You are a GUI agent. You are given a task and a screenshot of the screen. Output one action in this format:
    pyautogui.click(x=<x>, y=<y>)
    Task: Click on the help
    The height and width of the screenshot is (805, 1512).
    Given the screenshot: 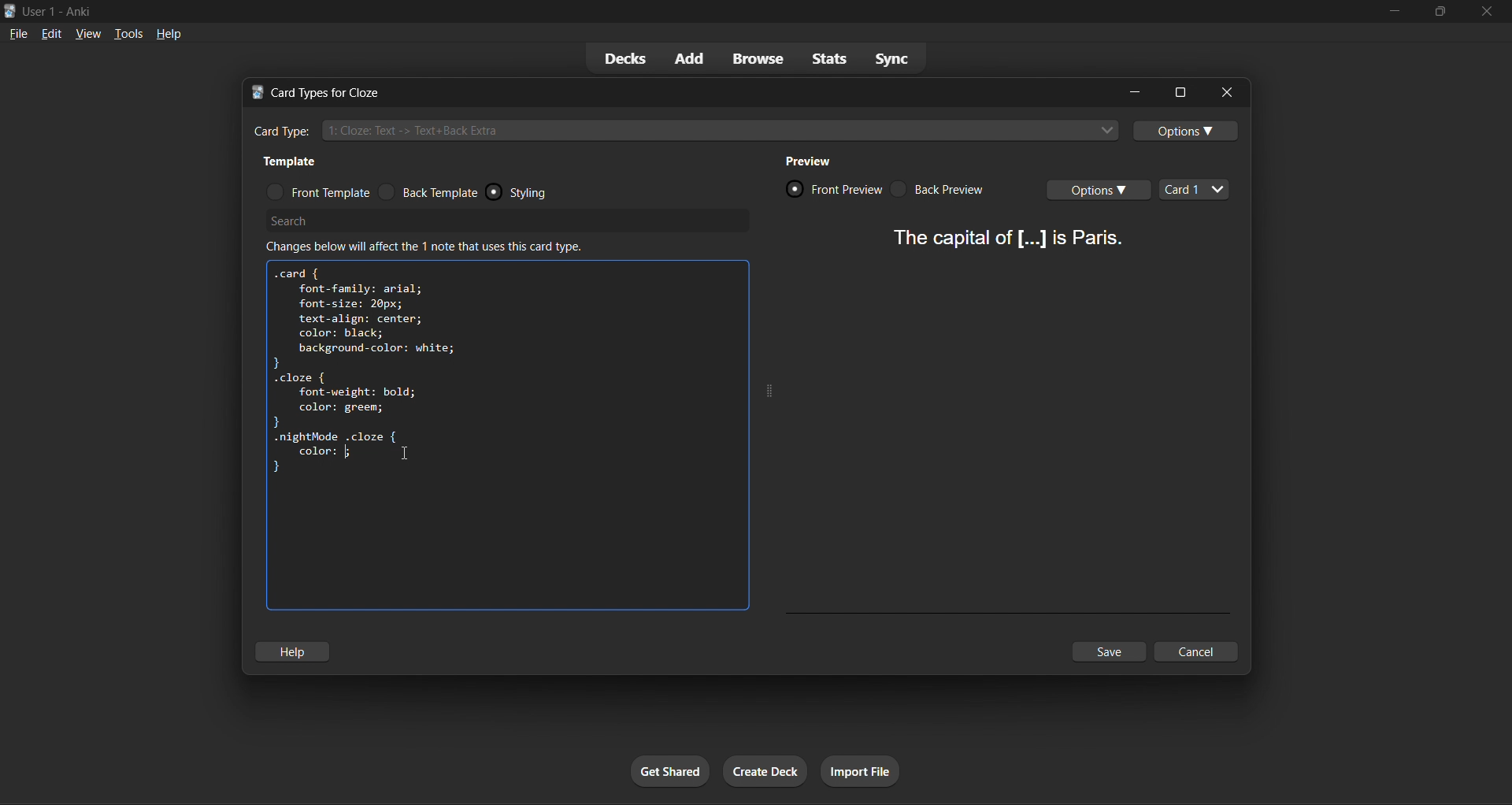 What is the action you would take?
    pyautogui.click(x=173, y=33)
    